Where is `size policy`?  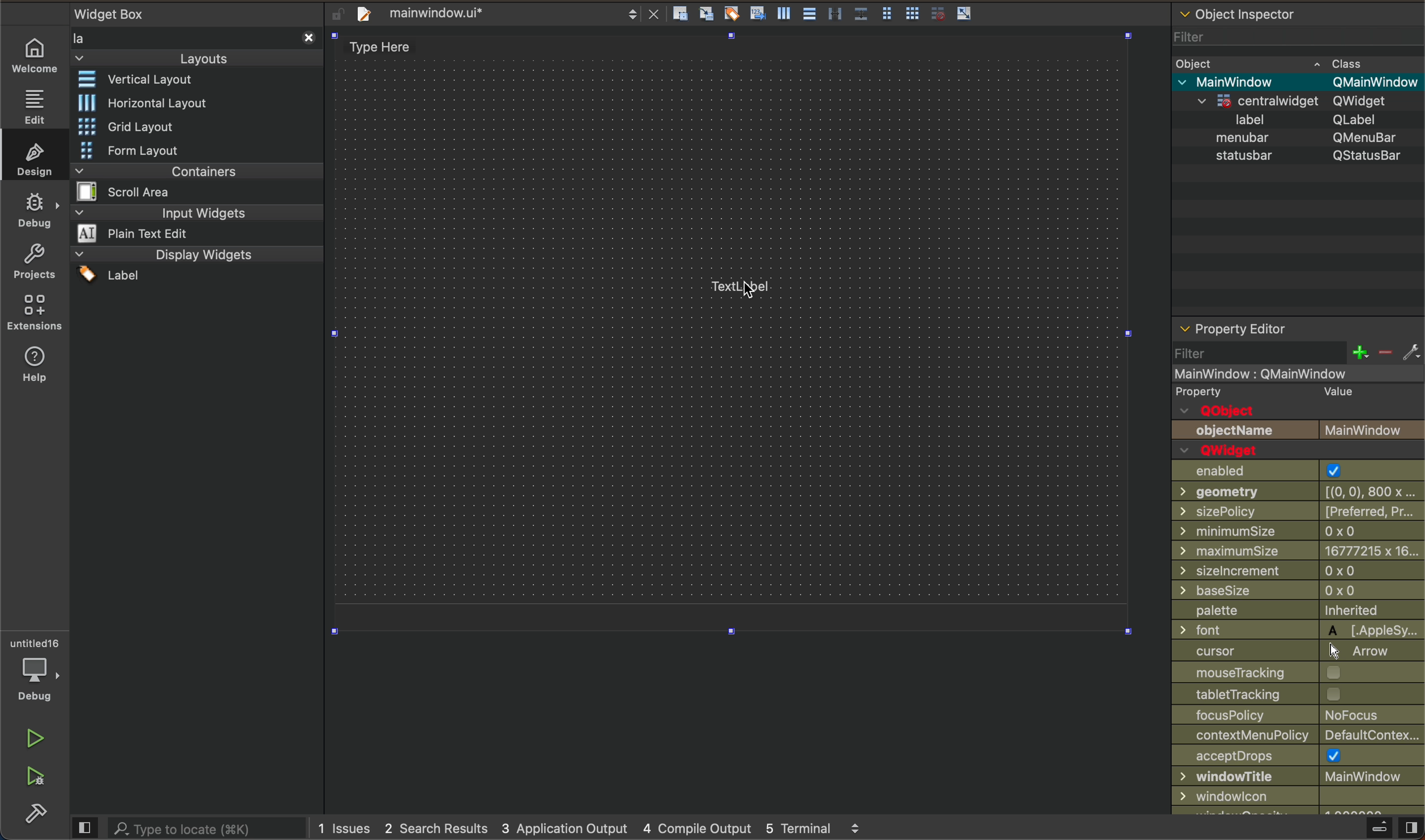
size policy is located at coordinates (1296, 513).